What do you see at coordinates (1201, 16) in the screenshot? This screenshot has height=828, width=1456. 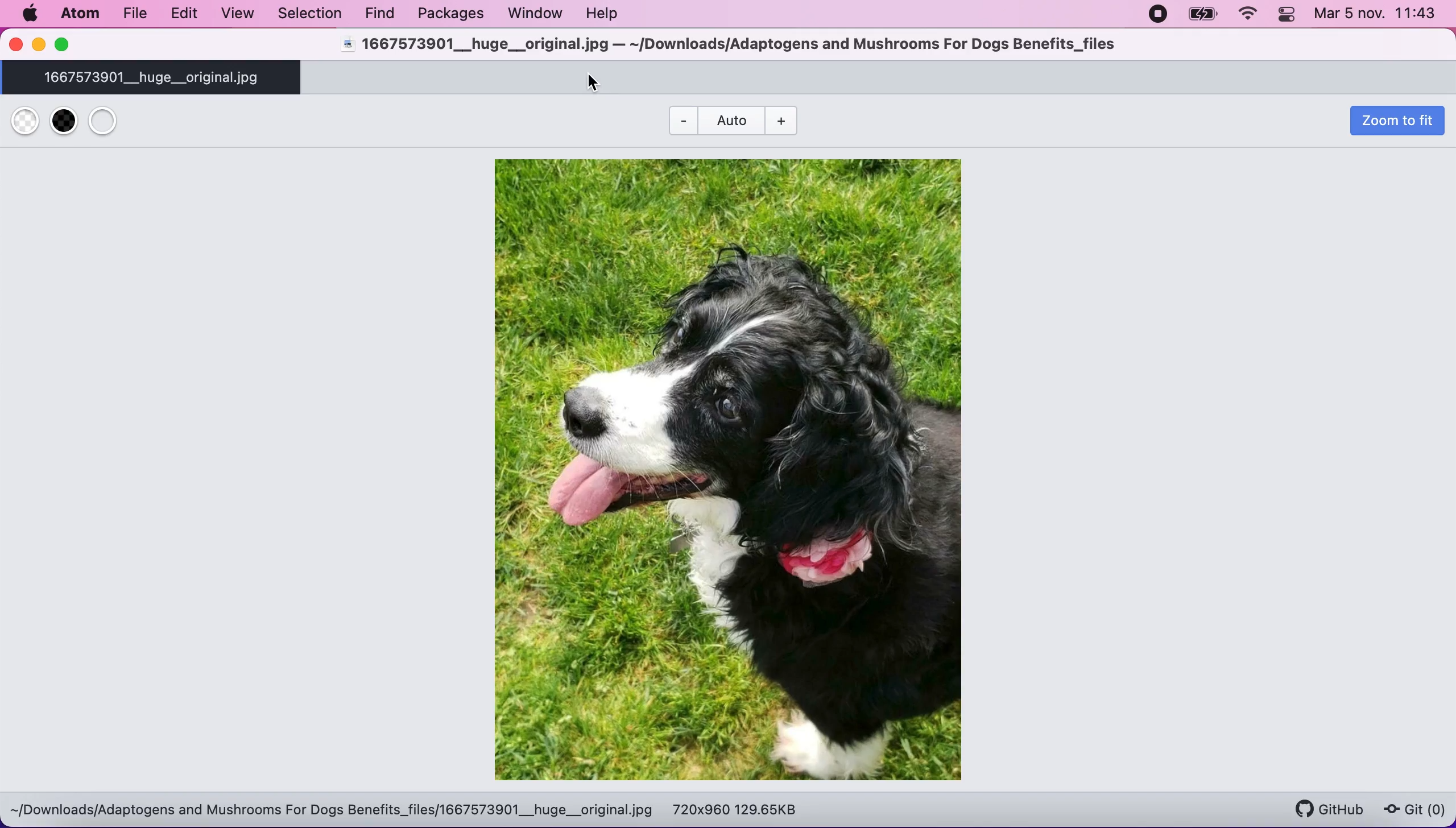 I see `battery` at bounding box center [1201, 16].